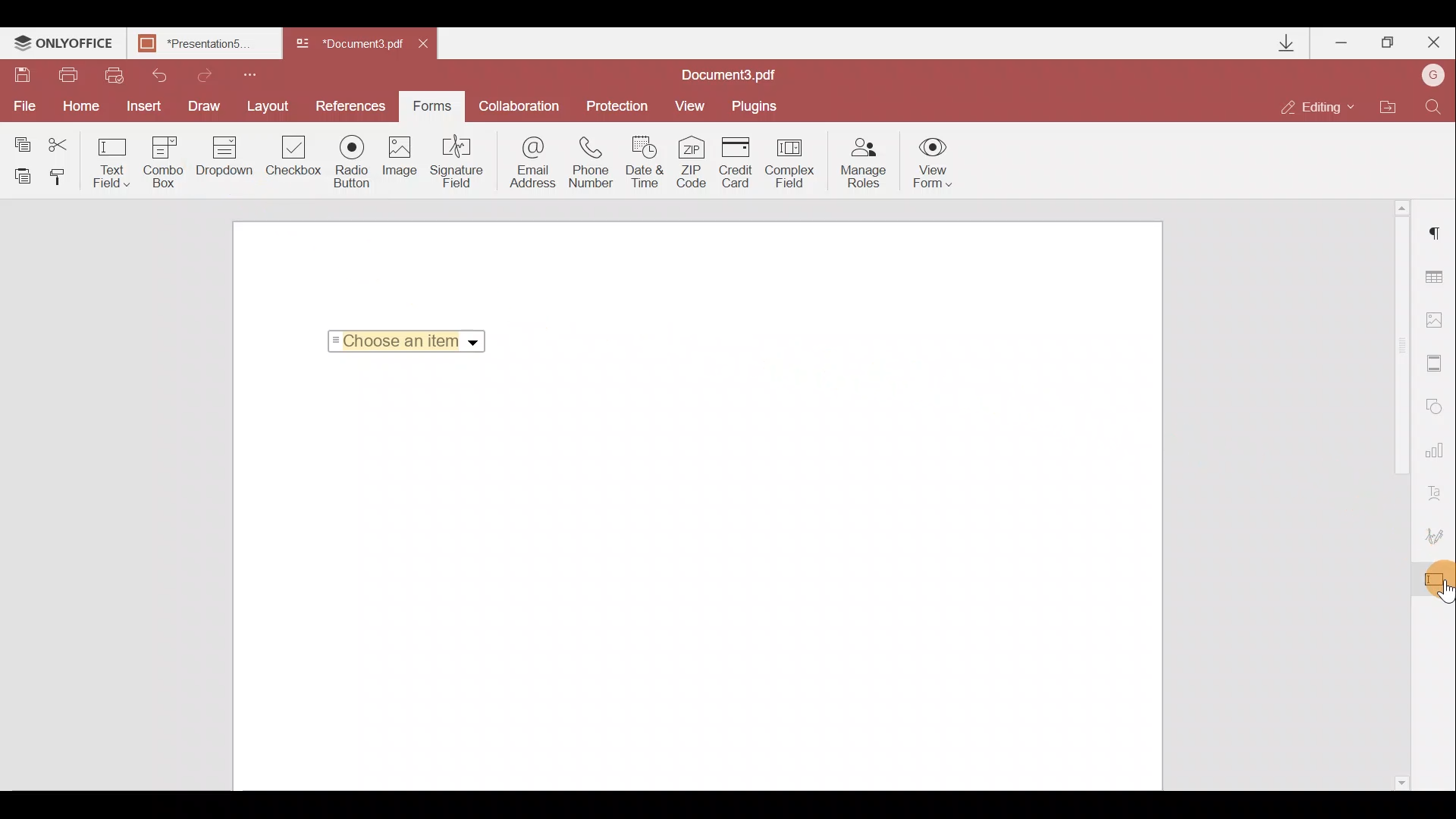  What do you see at coordinates (432, 106) in the screenshot?
I see `Forms` at bounding box center [432, 106].